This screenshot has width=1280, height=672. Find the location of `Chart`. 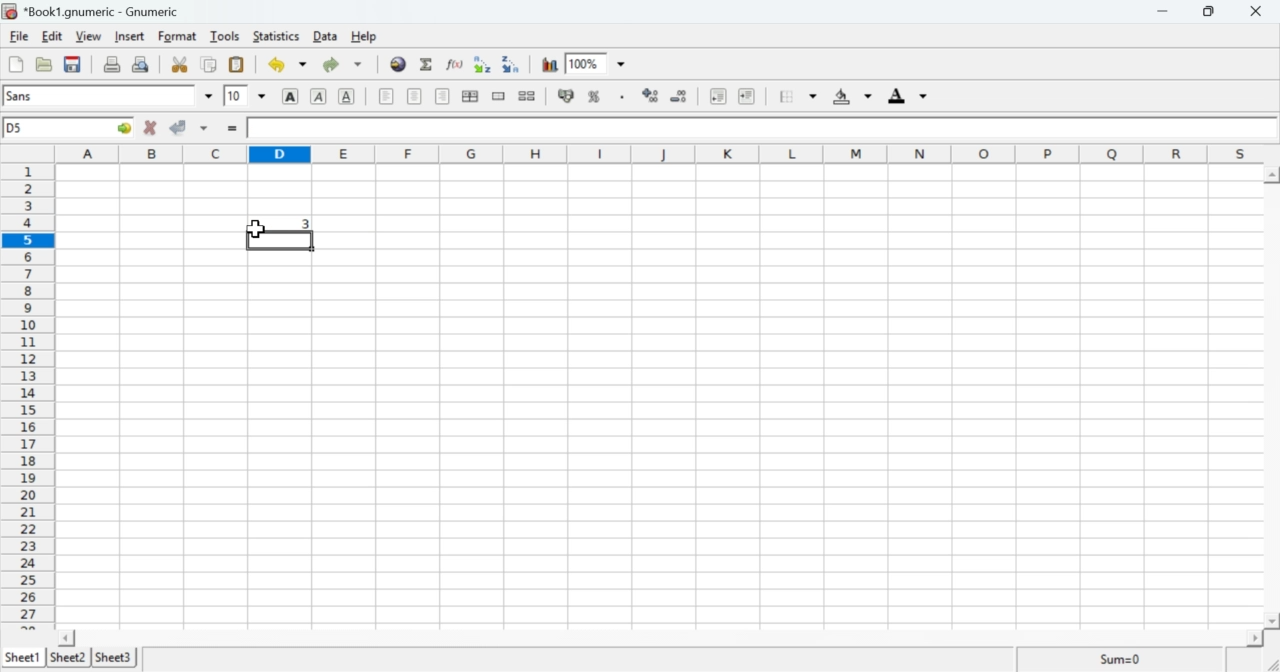

Chart is located at coordinates (551, 65).